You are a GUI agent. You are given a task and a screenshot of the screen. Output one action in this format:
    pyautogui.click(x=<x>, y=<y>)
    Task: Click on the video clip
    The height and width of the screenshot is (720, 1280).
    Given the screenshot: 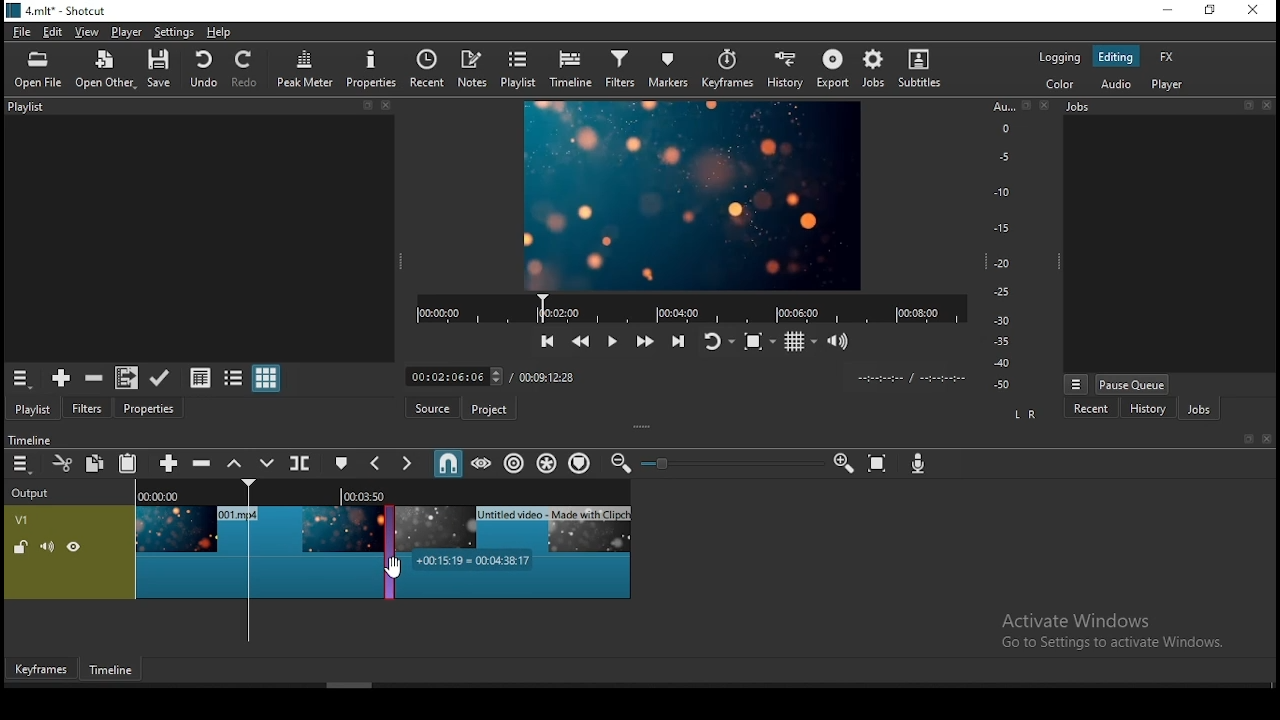 What is the action you would take?
    pyautogui.click(x=515, y=550)
    